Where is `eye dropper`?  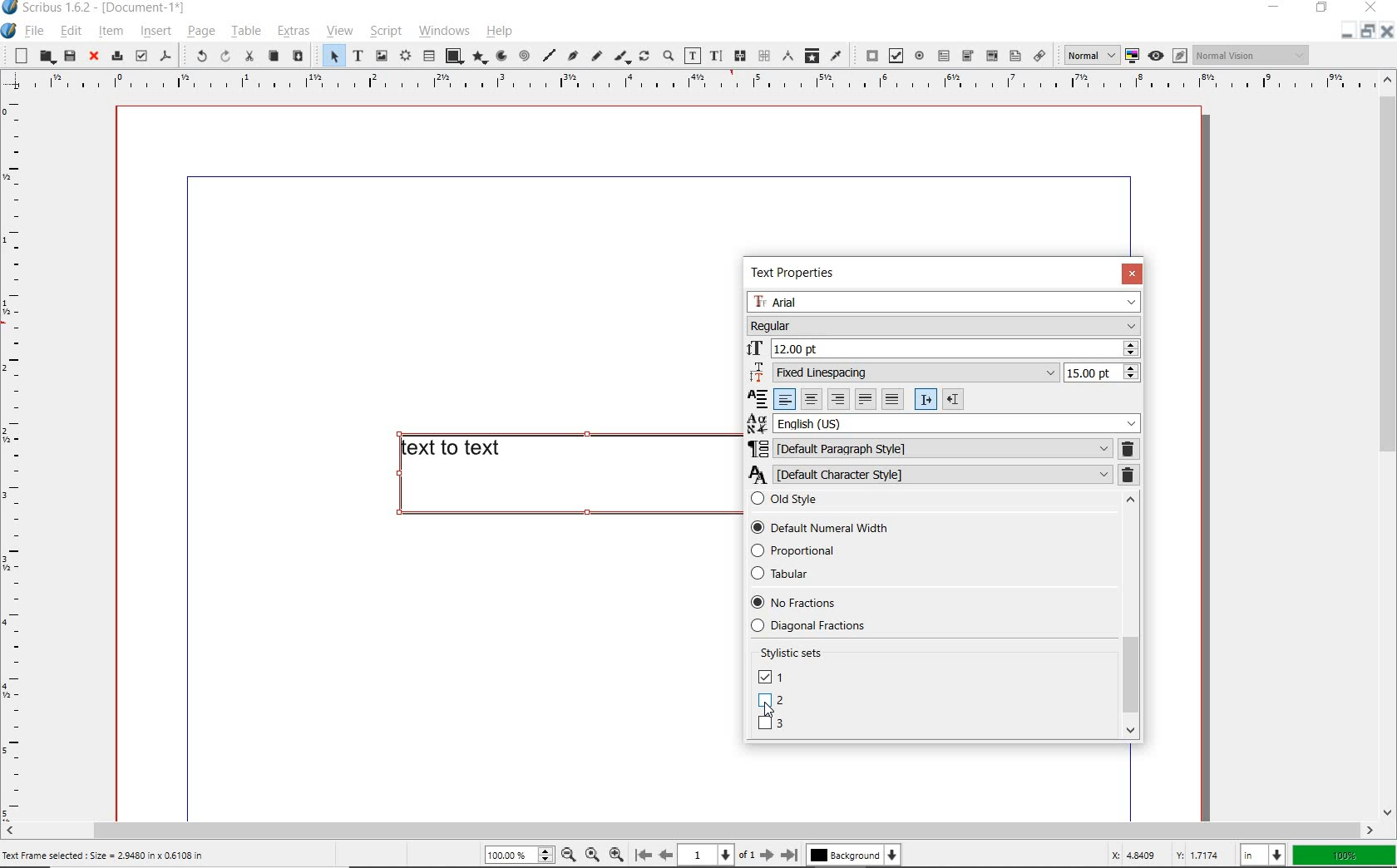 eye dropper is located at coordinates (837, 55).